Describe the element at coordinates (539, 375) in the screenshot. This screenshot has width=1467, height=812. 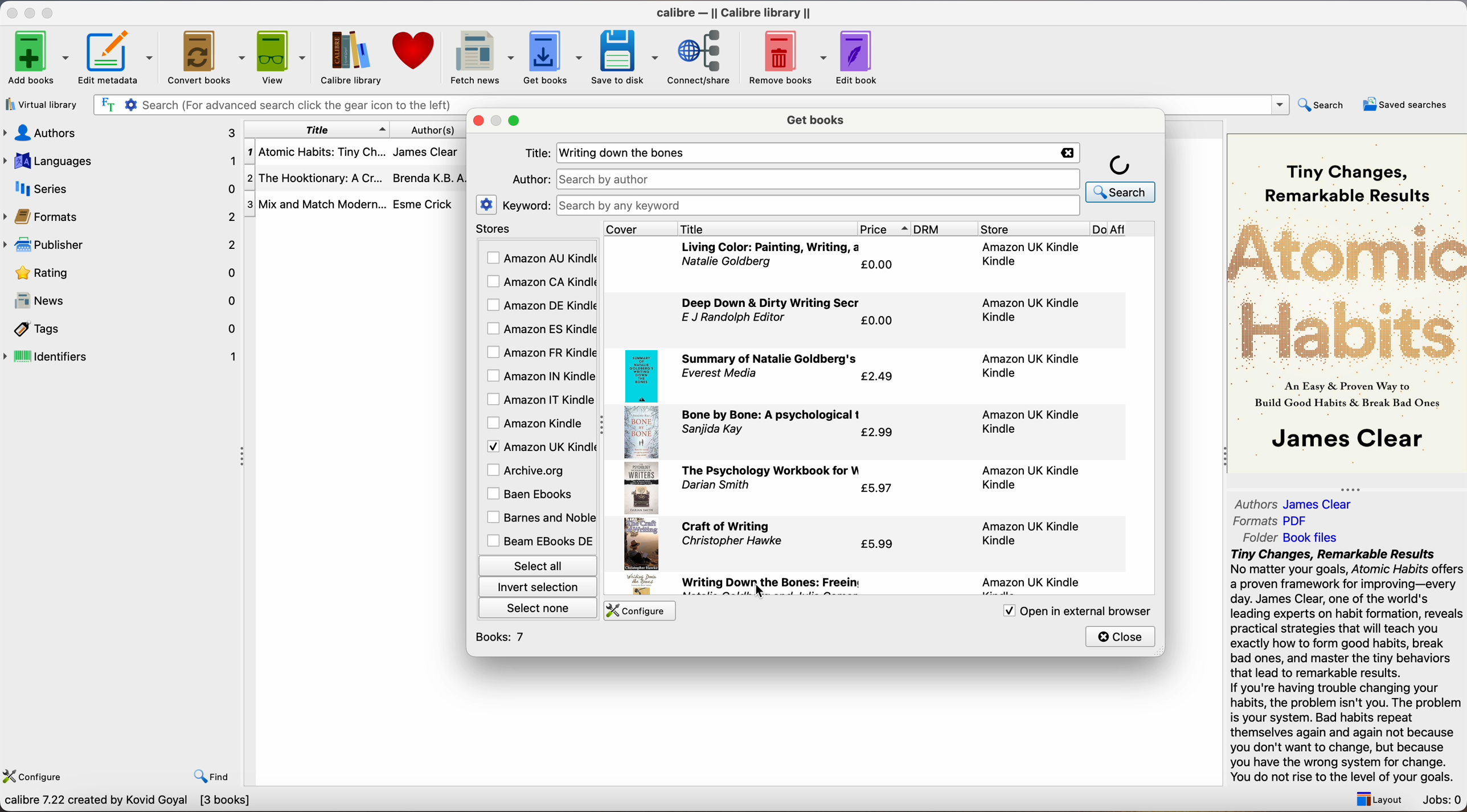
I see `Amazon IN Kindle` at that location.